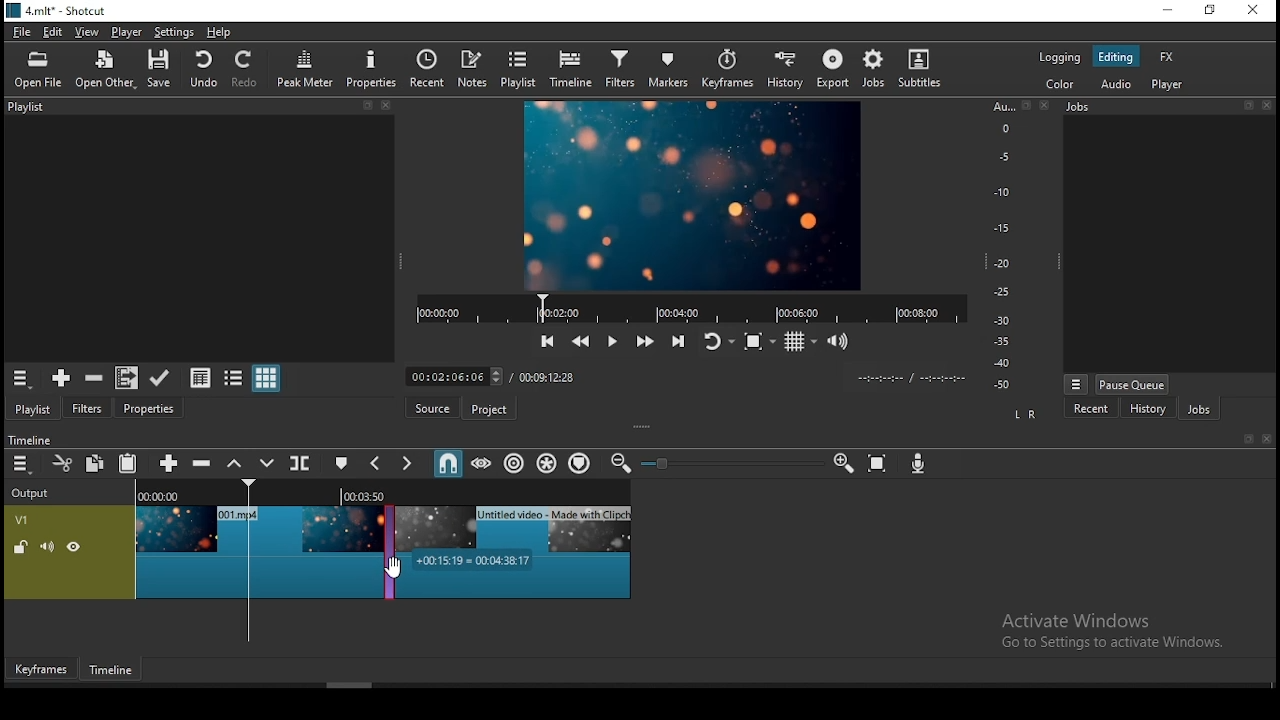 This screenshot has width=1280, height=720. I want to click on create/edit marker, so click(342, 462).